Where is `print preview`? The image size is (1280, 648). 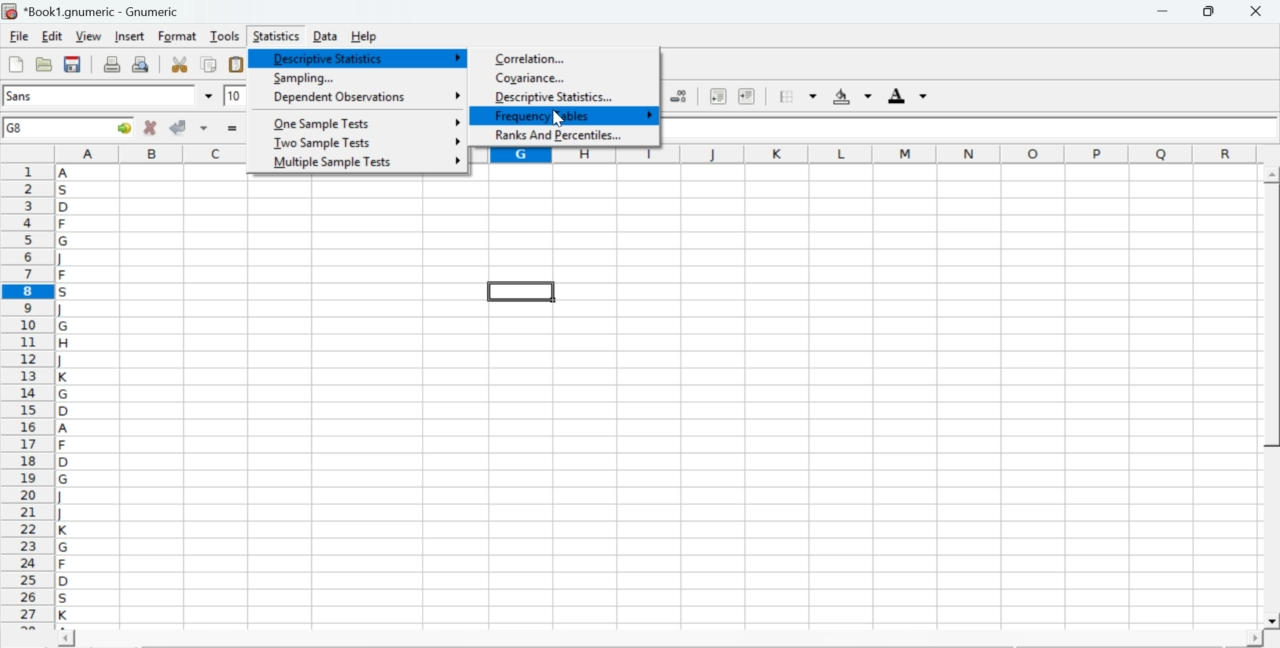
print preview is located at coordinates (141, 63).